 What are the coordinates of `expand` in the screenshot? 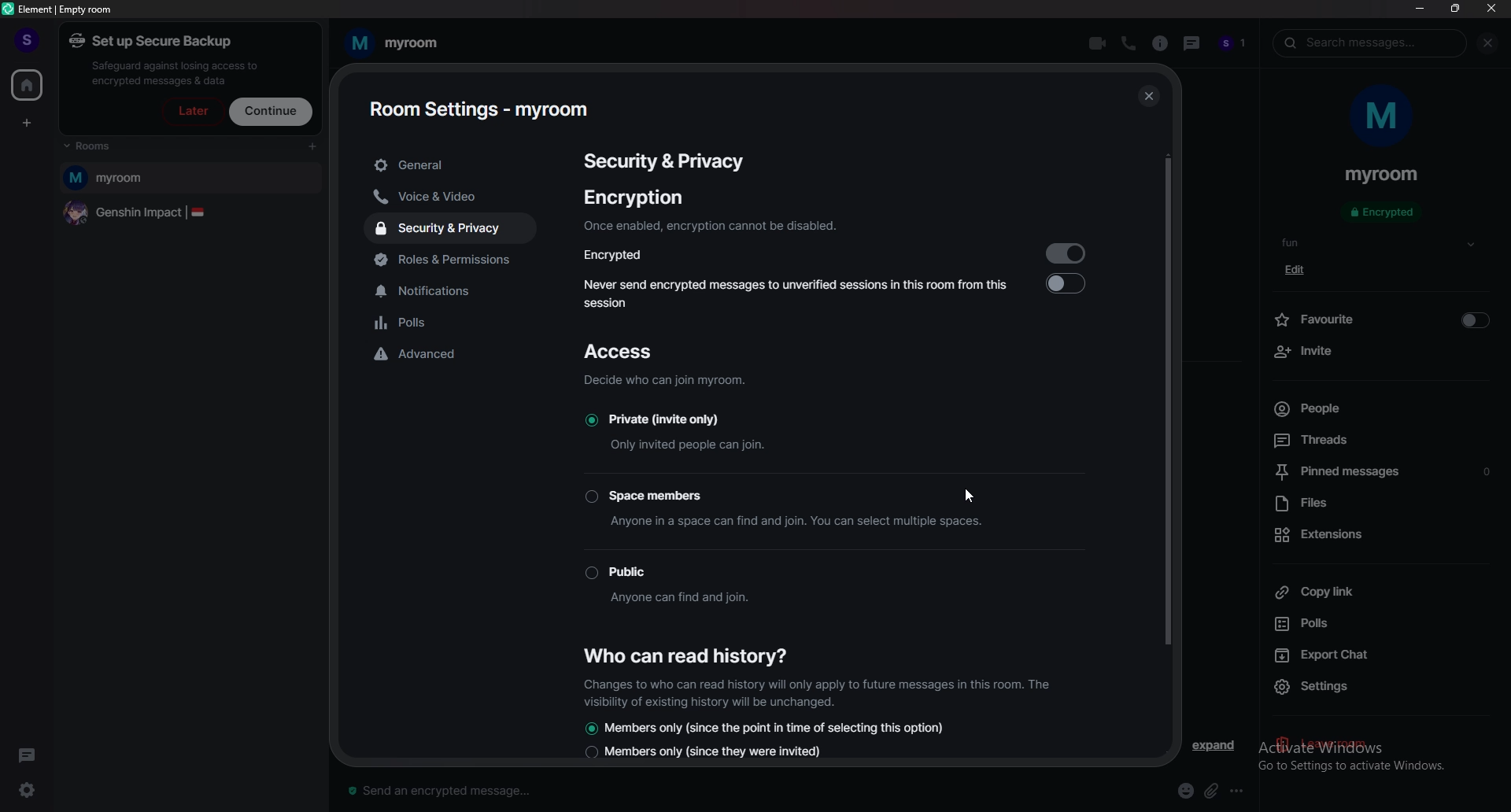 It's located at (1215, 745).